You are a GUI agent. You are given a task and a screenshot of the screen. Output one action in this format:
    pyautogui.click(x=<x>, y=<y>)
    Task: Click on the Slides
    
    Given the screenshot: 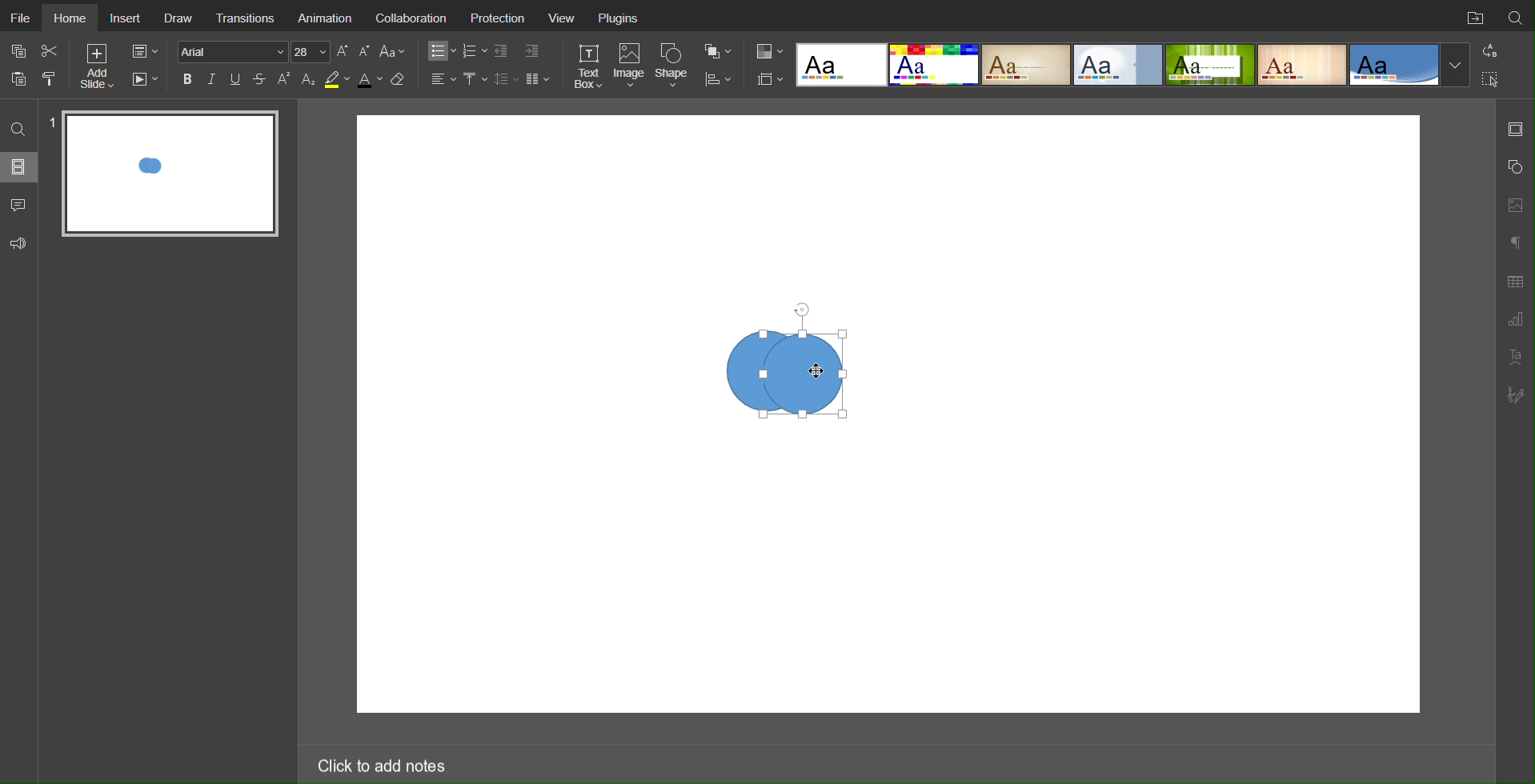 What is the action you would take?
    pyautogui.click(x=20, y=166)
    